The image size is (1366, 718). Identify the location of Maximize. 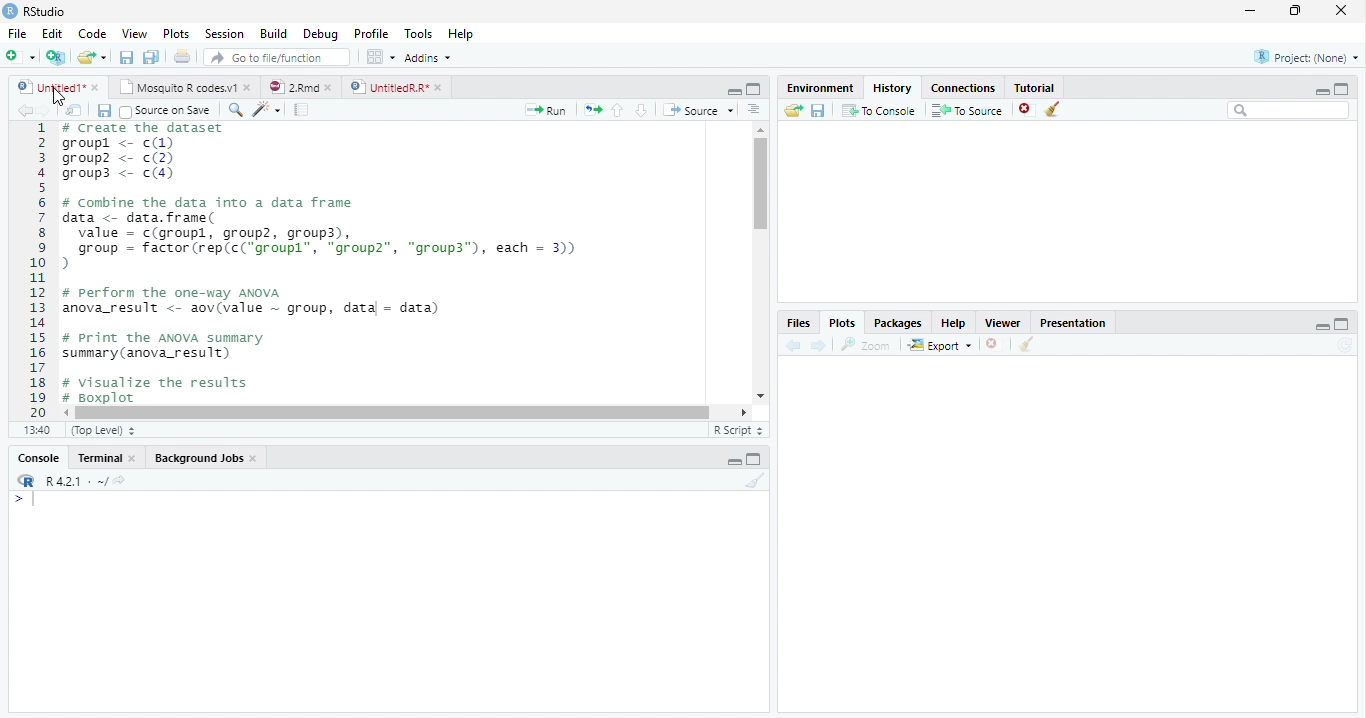
(755, 461).